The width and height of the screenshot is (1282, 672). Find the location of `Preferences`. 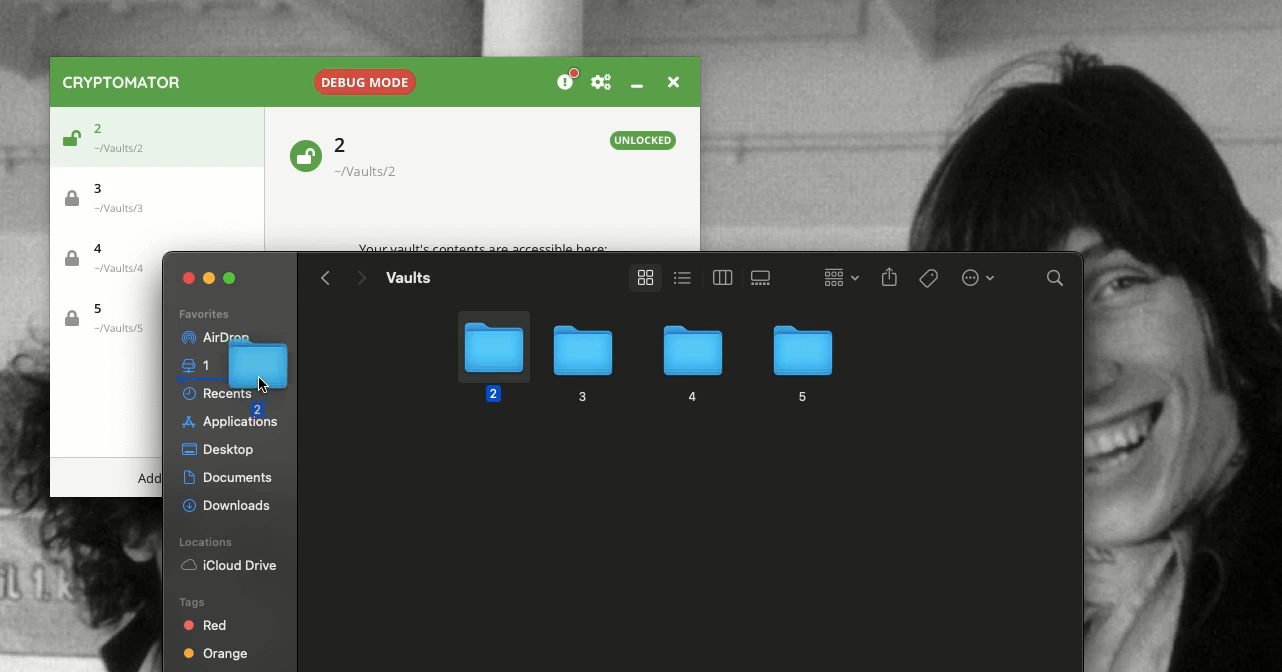

Preferences is located at coordinates (601, 83).